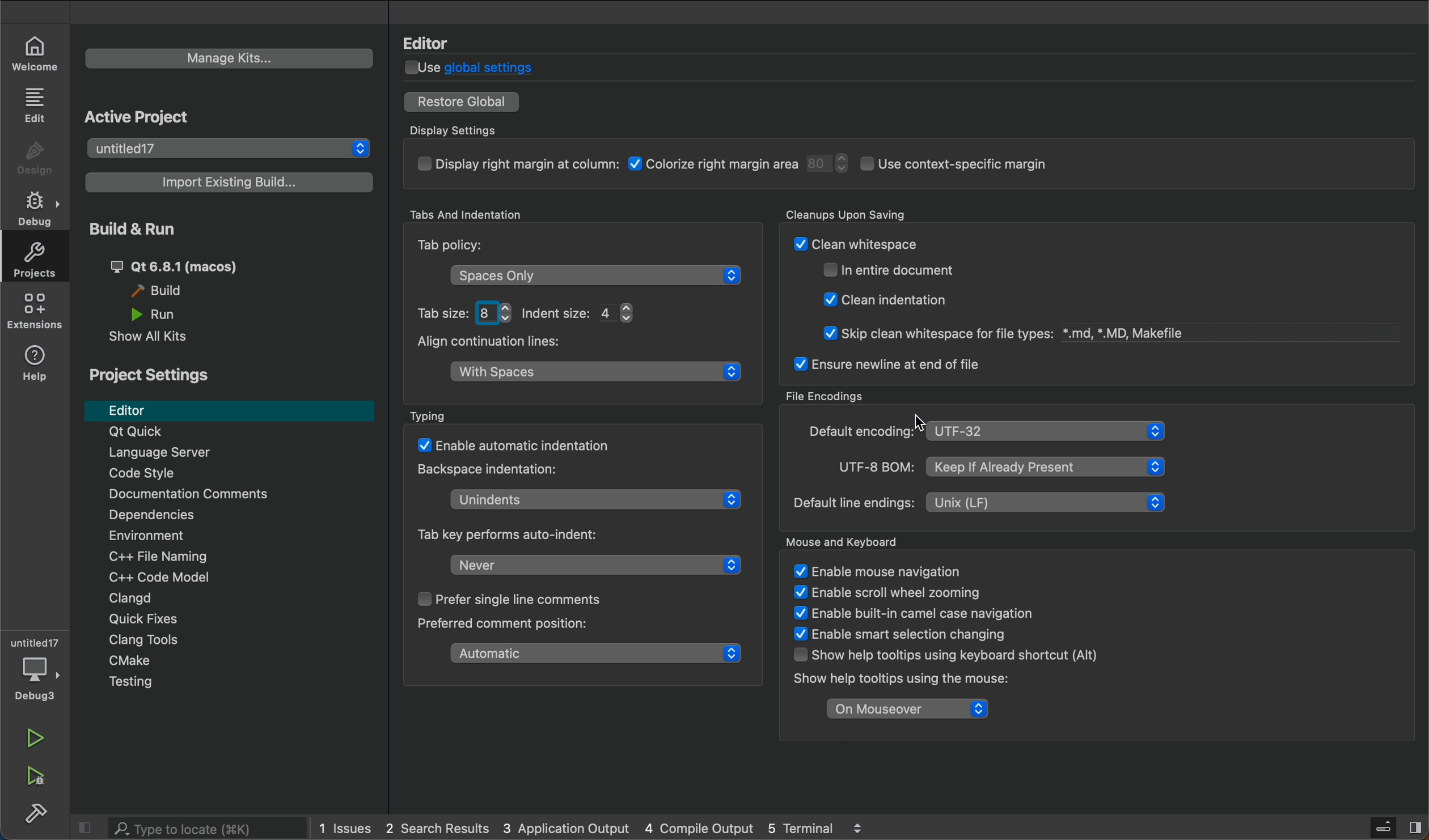 This screenshot has height=840, width=1429. Describe the element at coordinates (231, 410) in the screenshot. I see `editor` at that location.